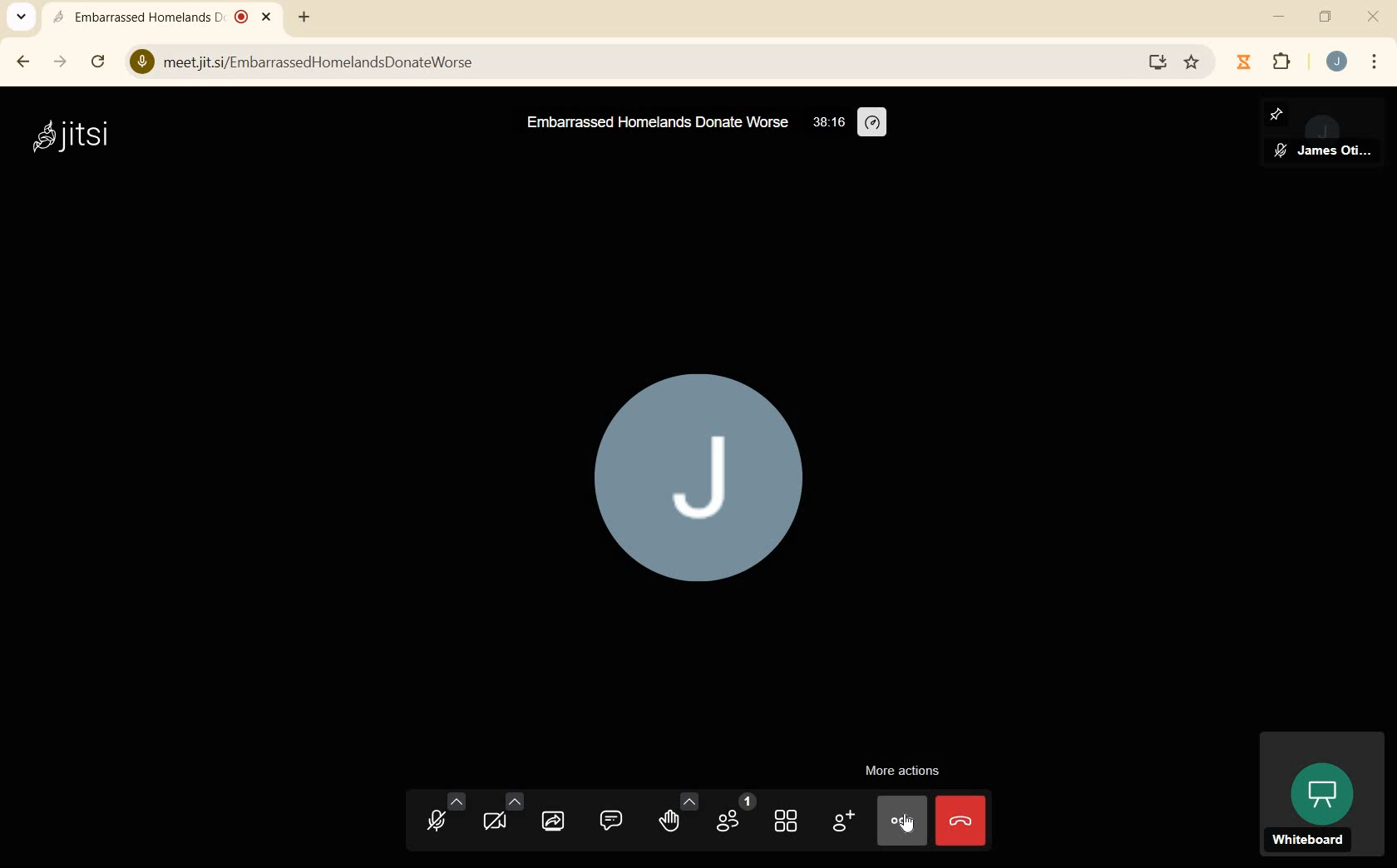 The width and height of the screenshot is (1397, 868). I want to click on account, so click(1337, 61).